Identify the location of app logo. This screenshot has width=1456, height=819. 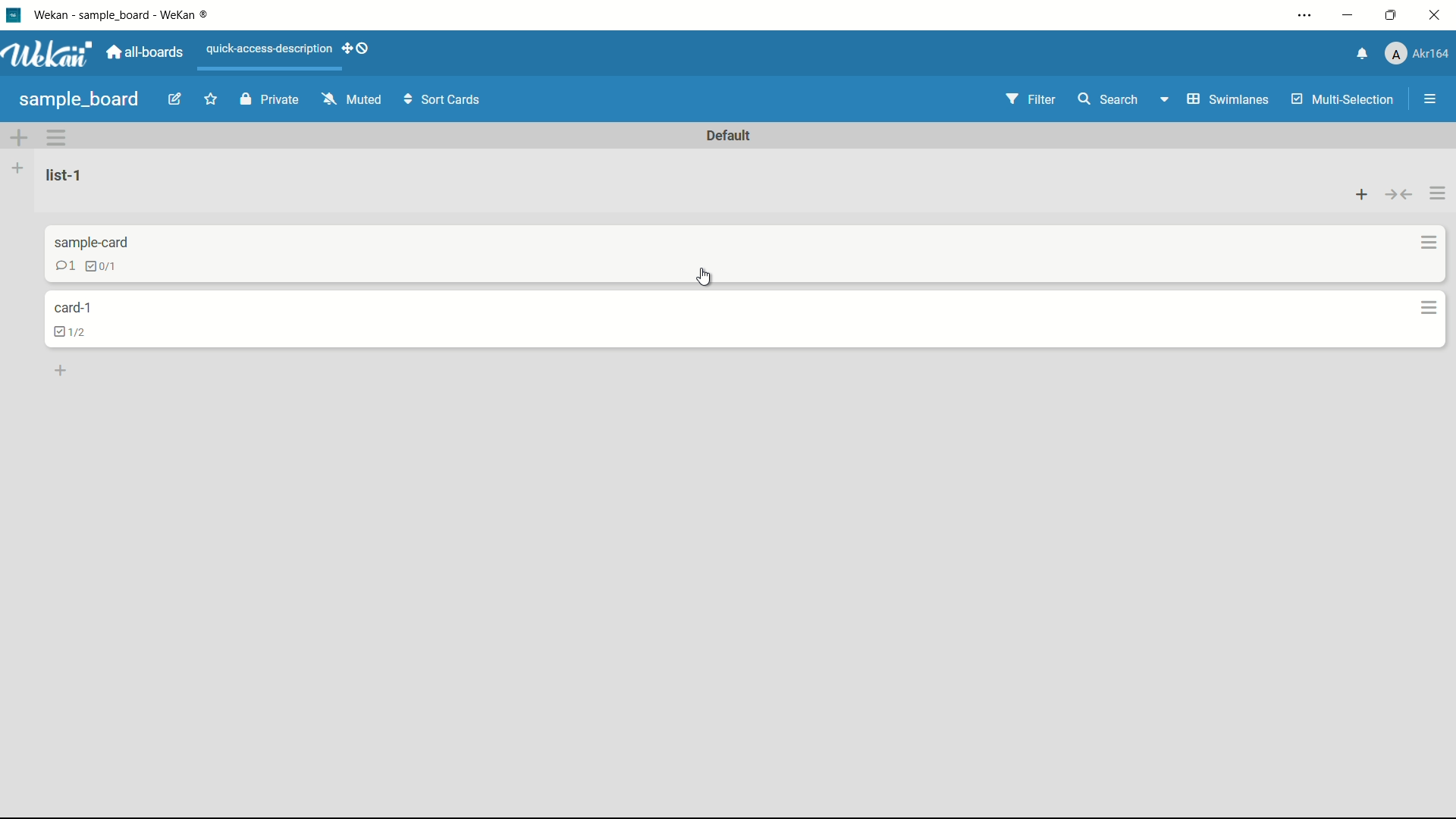
(49, 53).